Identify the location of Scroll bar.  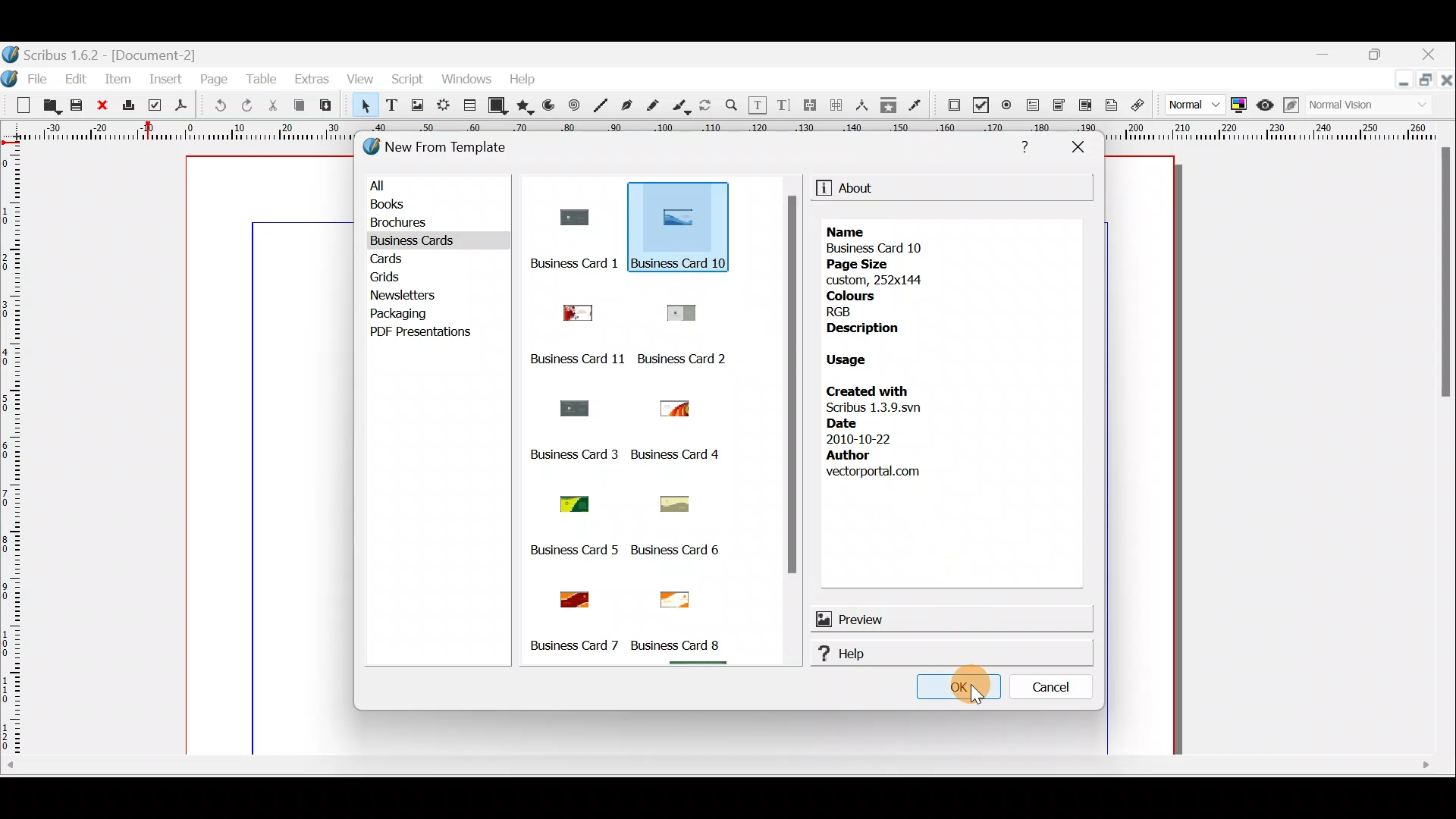
(729, 767).